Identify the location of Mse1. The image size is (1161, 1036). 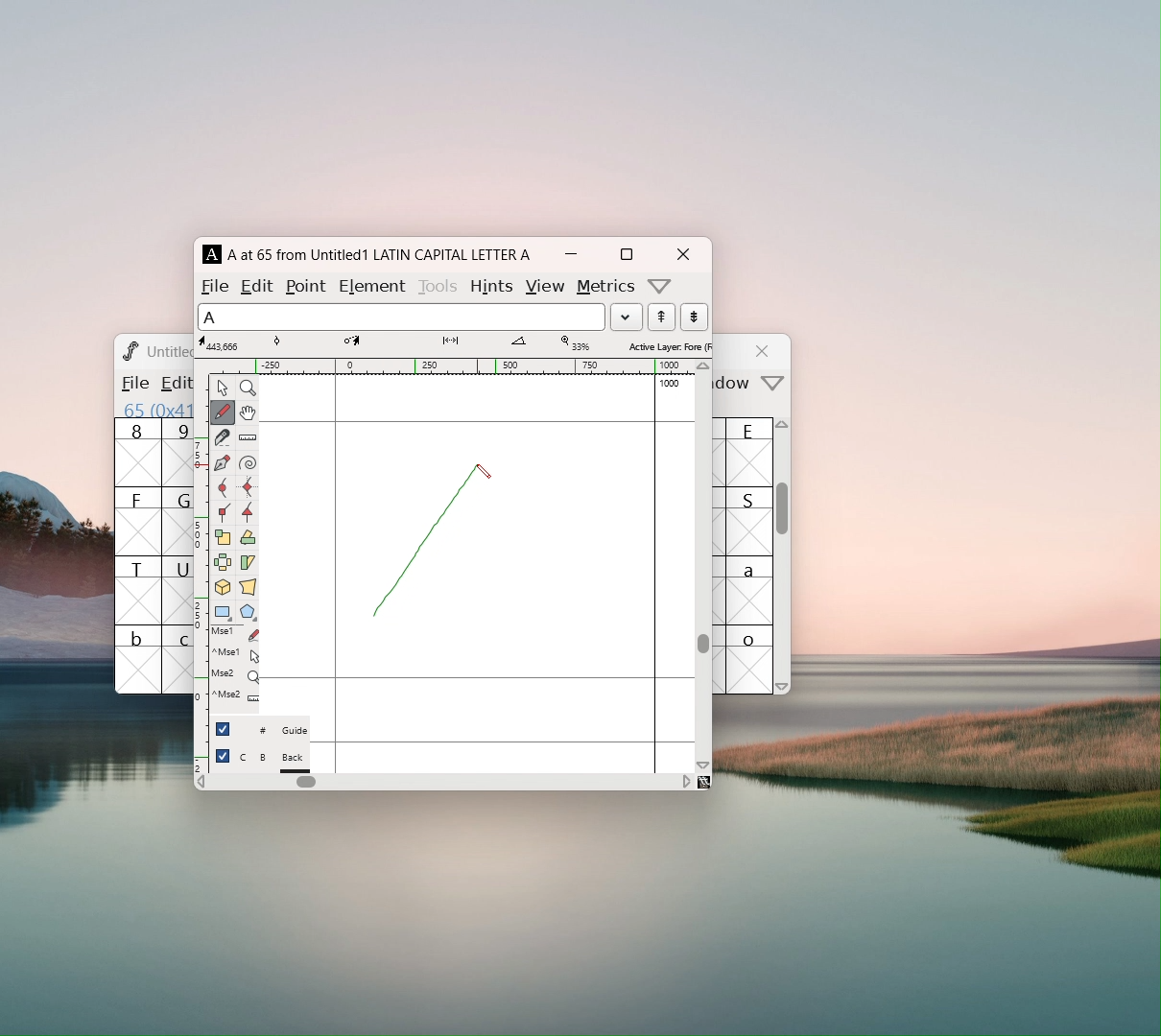
(237, 634).